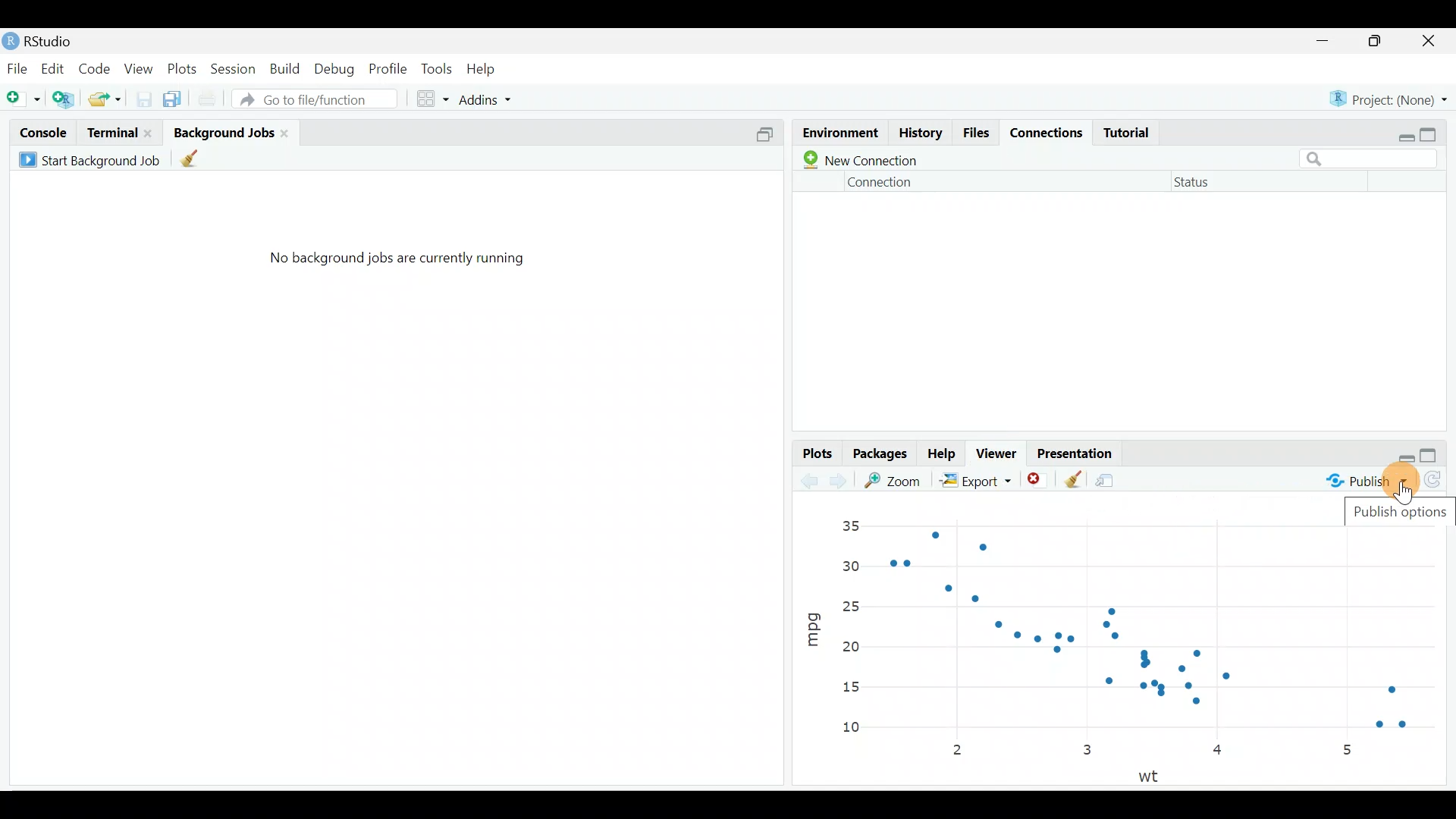 This screenshot has width=1456, height=819. Describe the element at coordinates (111, 131) in the screenshot. I see `Terminal` at that location.